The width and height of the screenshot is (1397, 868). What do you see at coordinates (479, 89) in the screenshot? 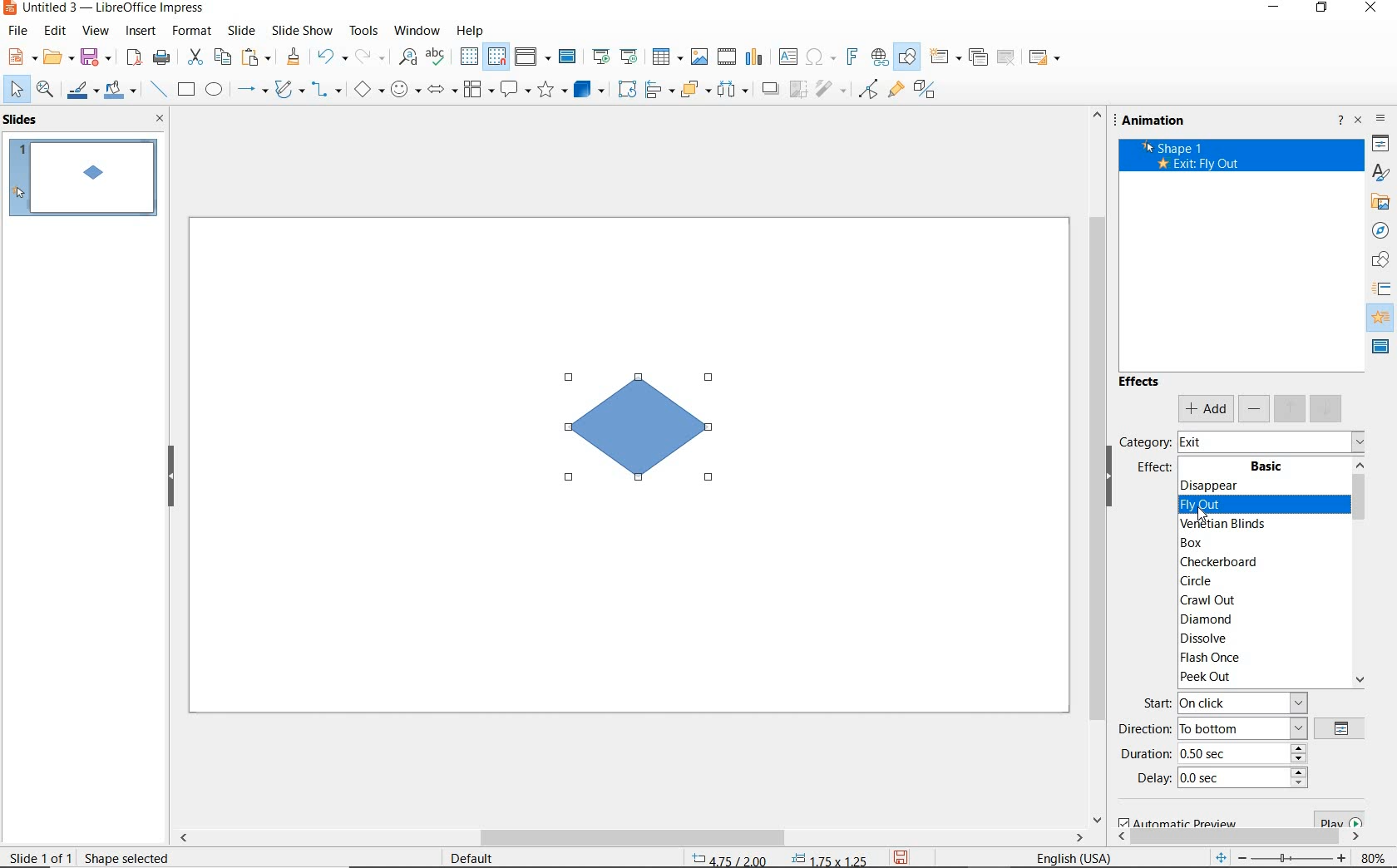
I see `flowchart` at bounding box center [479, 89].